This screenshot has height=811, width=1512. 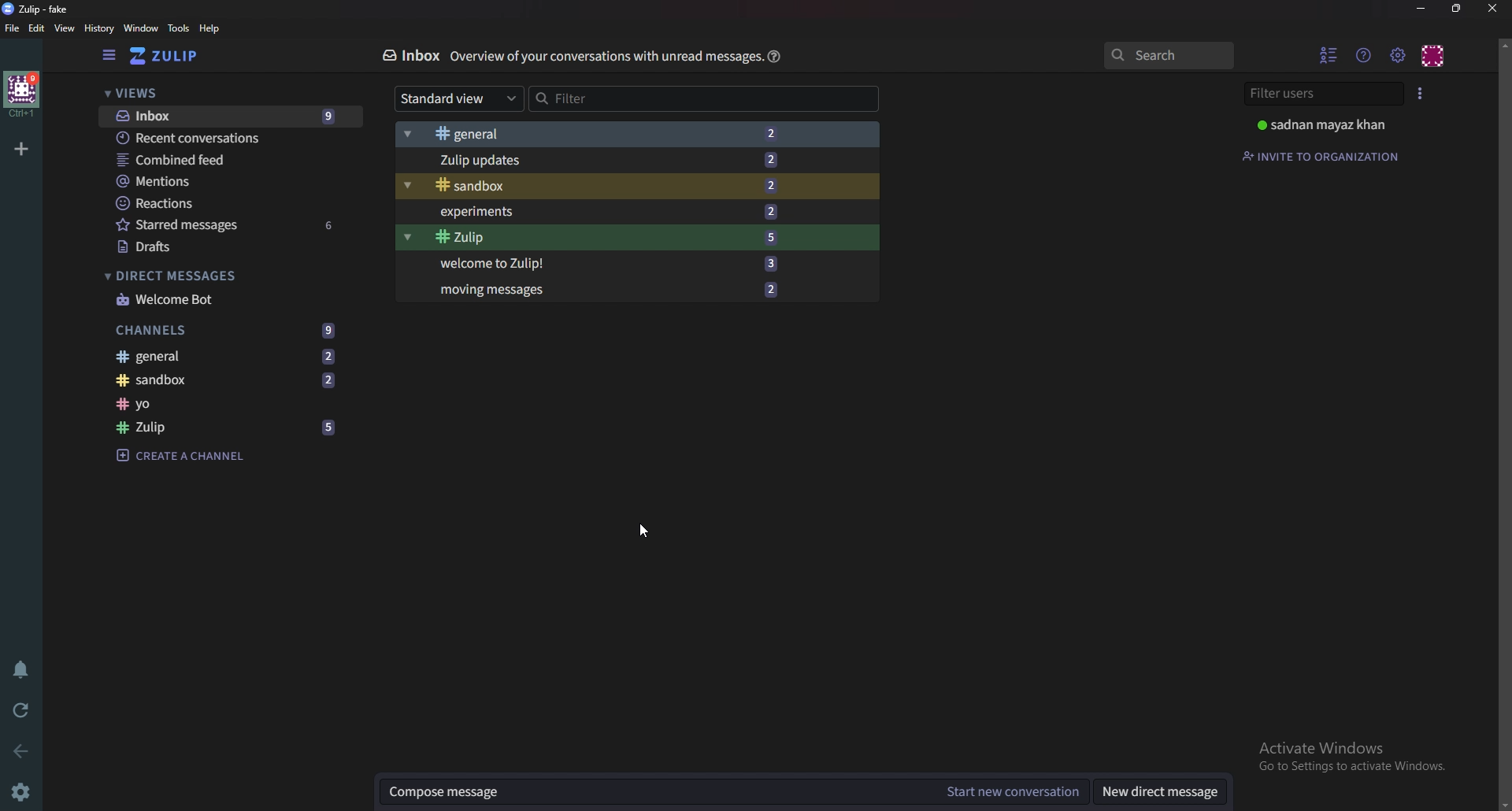 I want to click on Invite to organization, so click(x=1323, y=155).